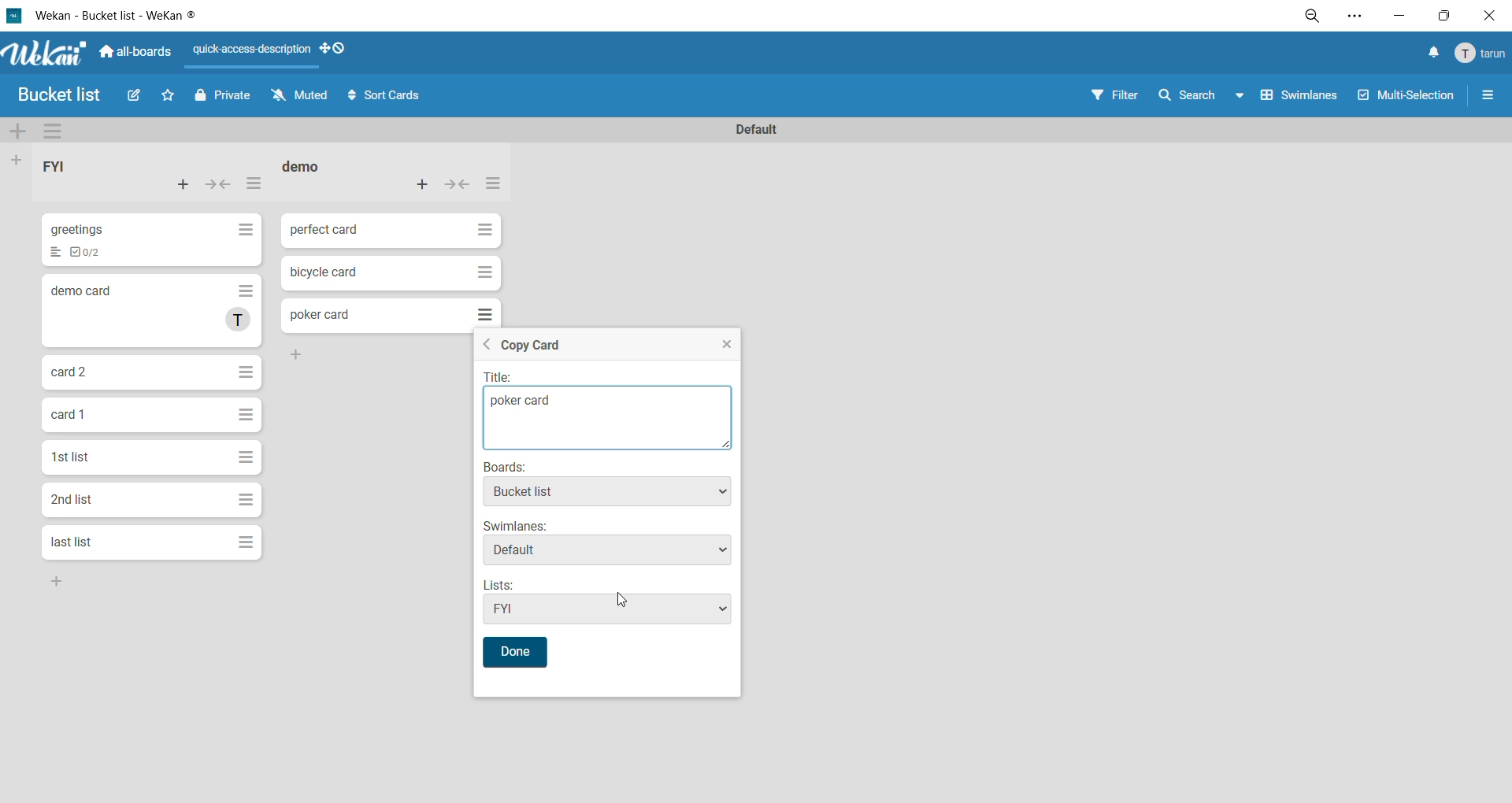 This screenshot has width=1512, height=803. What do you see at coordinates (325, 274) in the screenshot?
I see `bicycle card` at bounding box center [325, 274].